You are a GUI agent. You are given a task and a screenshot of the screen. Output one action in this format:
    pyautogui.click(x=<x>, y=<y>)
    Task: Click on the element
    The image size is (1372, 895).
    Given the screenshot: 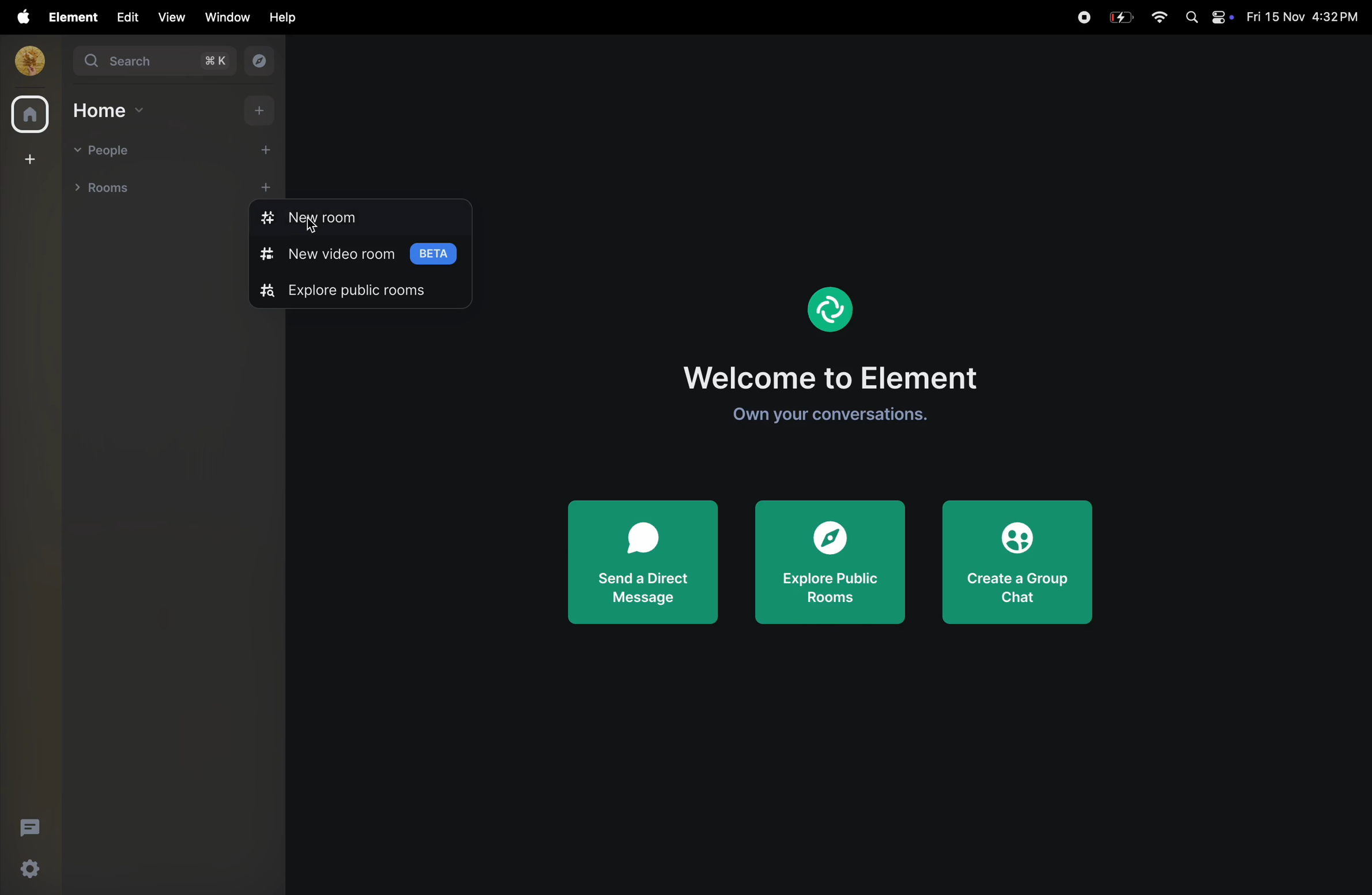 What is the action you would take?
    pyautogui.click(x=828, y=307)
    